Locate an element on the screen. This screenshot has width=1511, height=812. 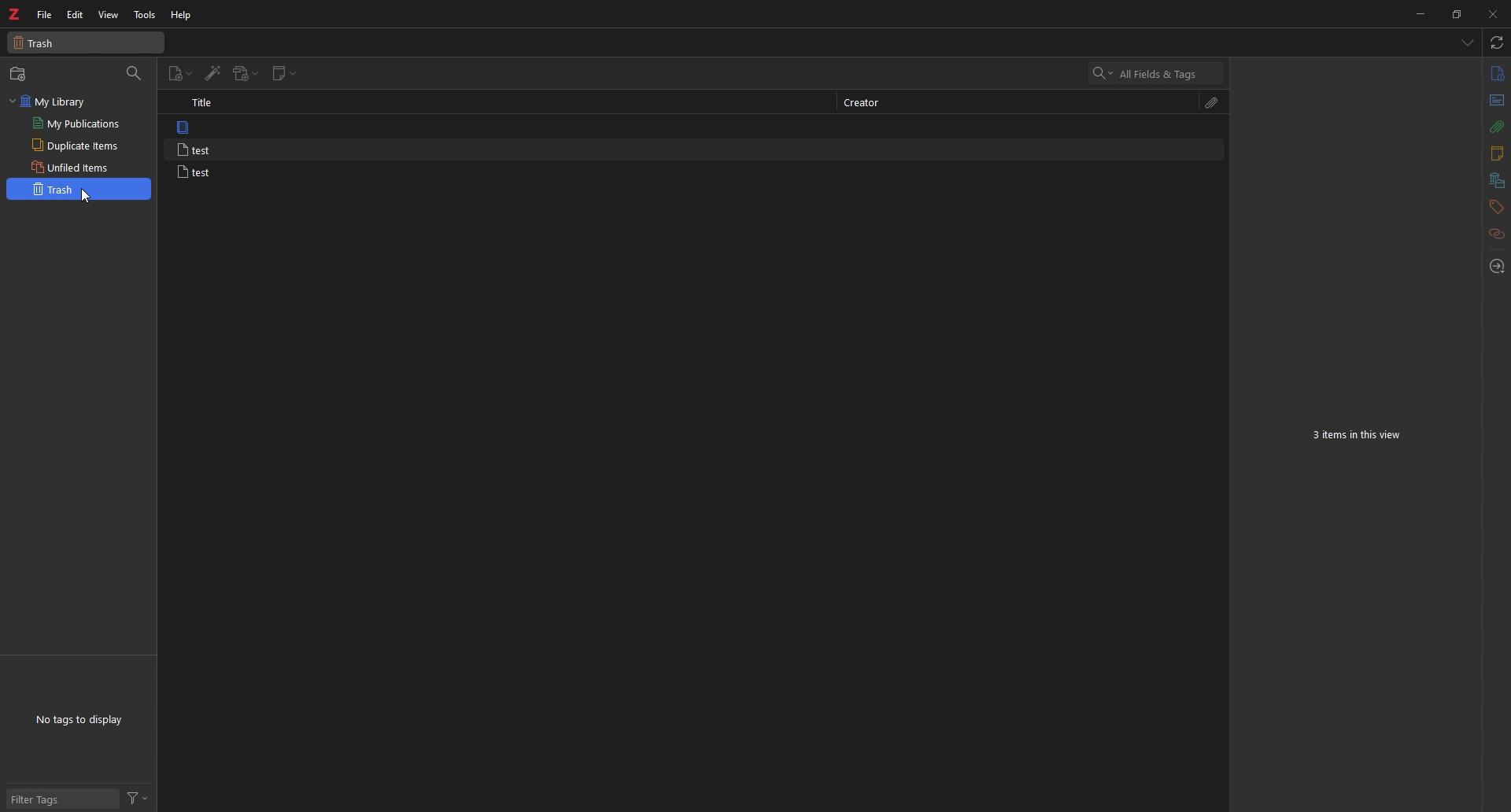
Filter is located at coordinates (139, 798).